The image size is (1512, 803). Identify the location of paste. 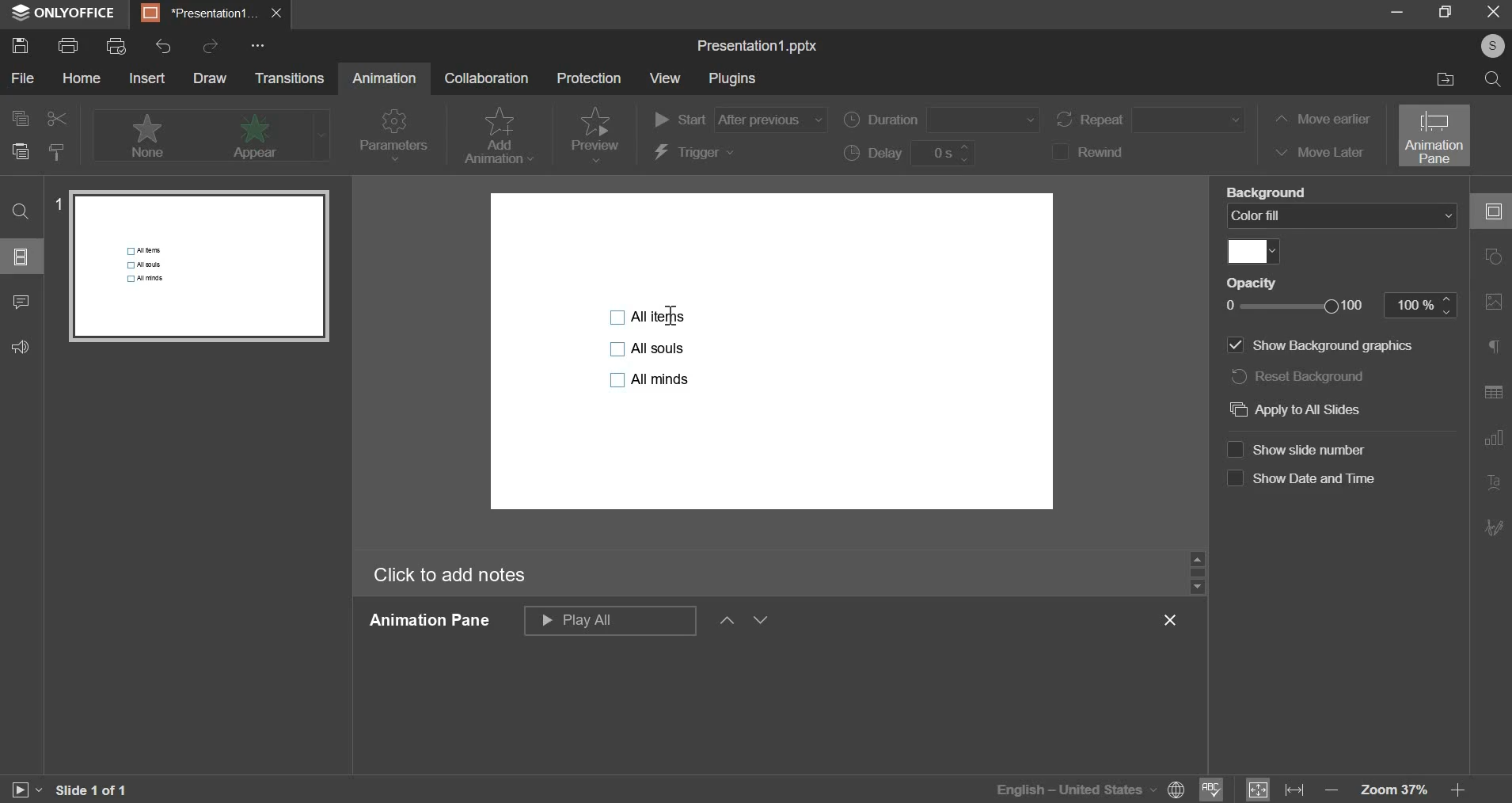
(20, 153).